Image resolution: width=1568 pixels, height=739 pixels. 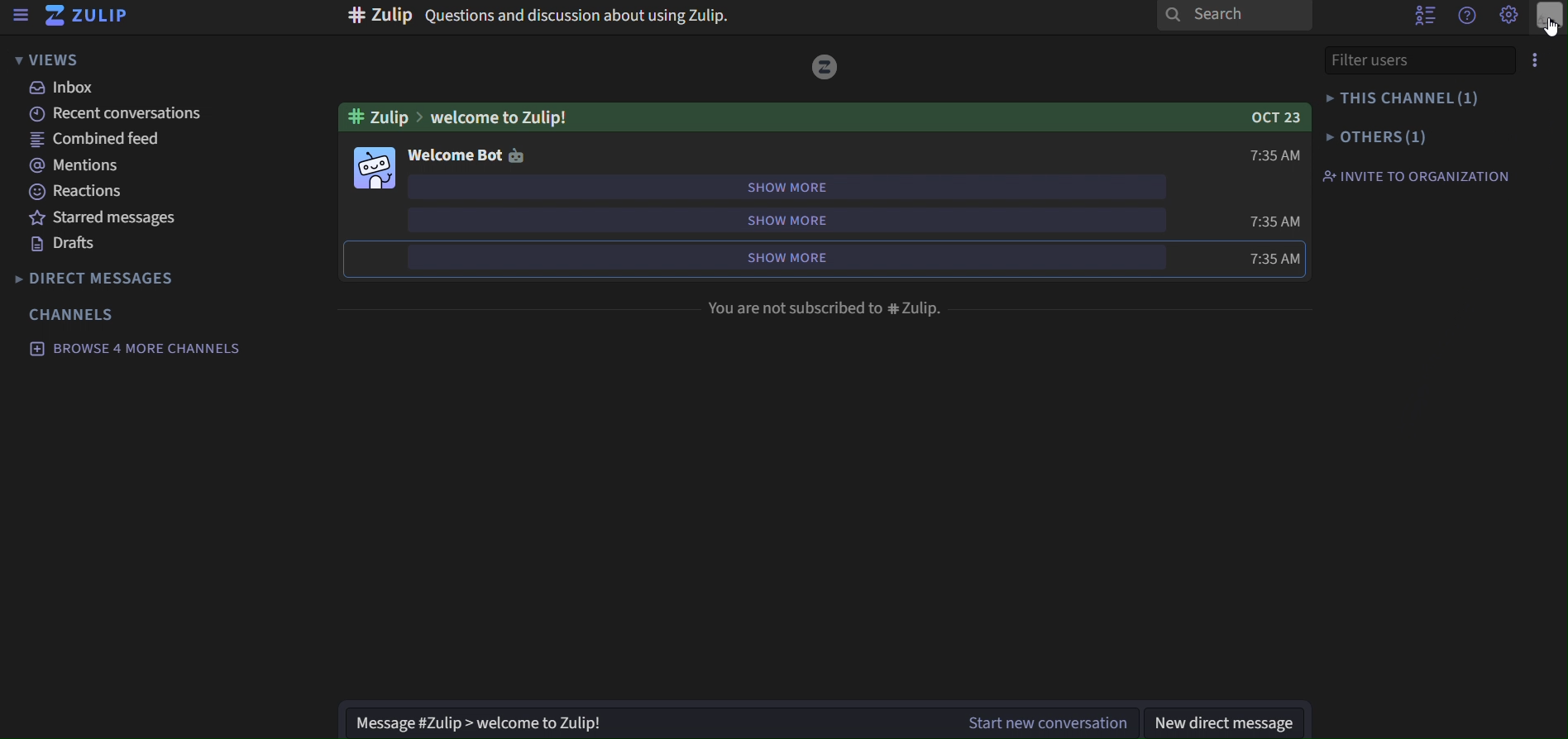 I want to click on others(1), so click(x=1377, y=139).